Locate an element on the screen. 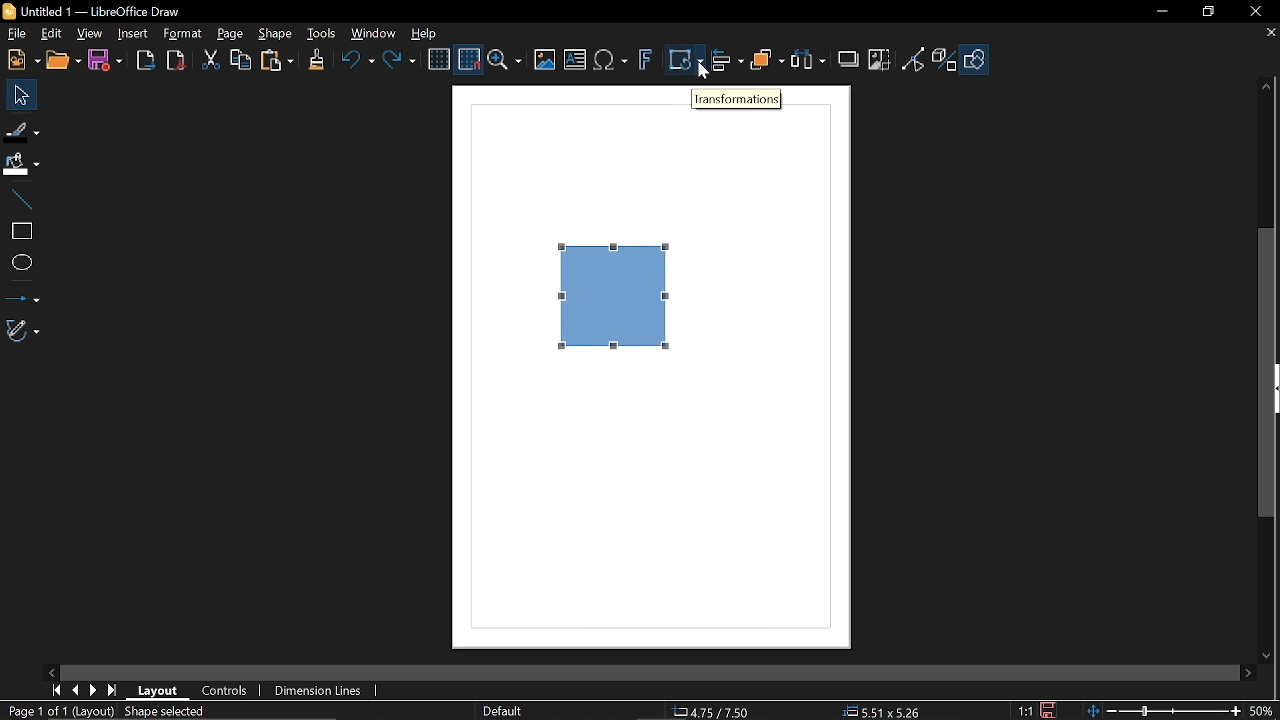 The height and width of the screenshot is (720, 1280). Move up is located at coordinates (1267, 87).